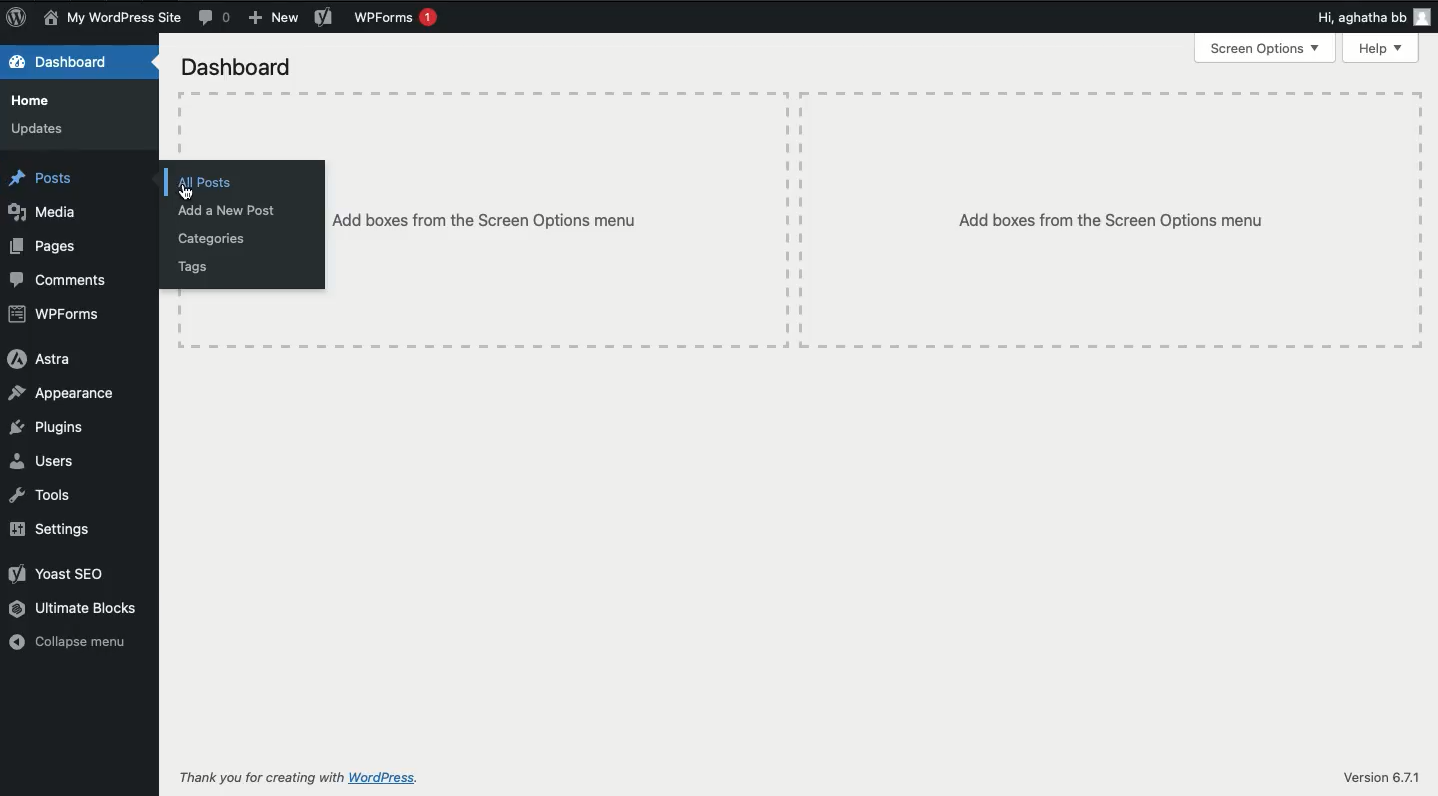  What do you see at coordinates (1265, 48) in the screenshot?
I see `Screen options` at bounding box center [1265, 48].